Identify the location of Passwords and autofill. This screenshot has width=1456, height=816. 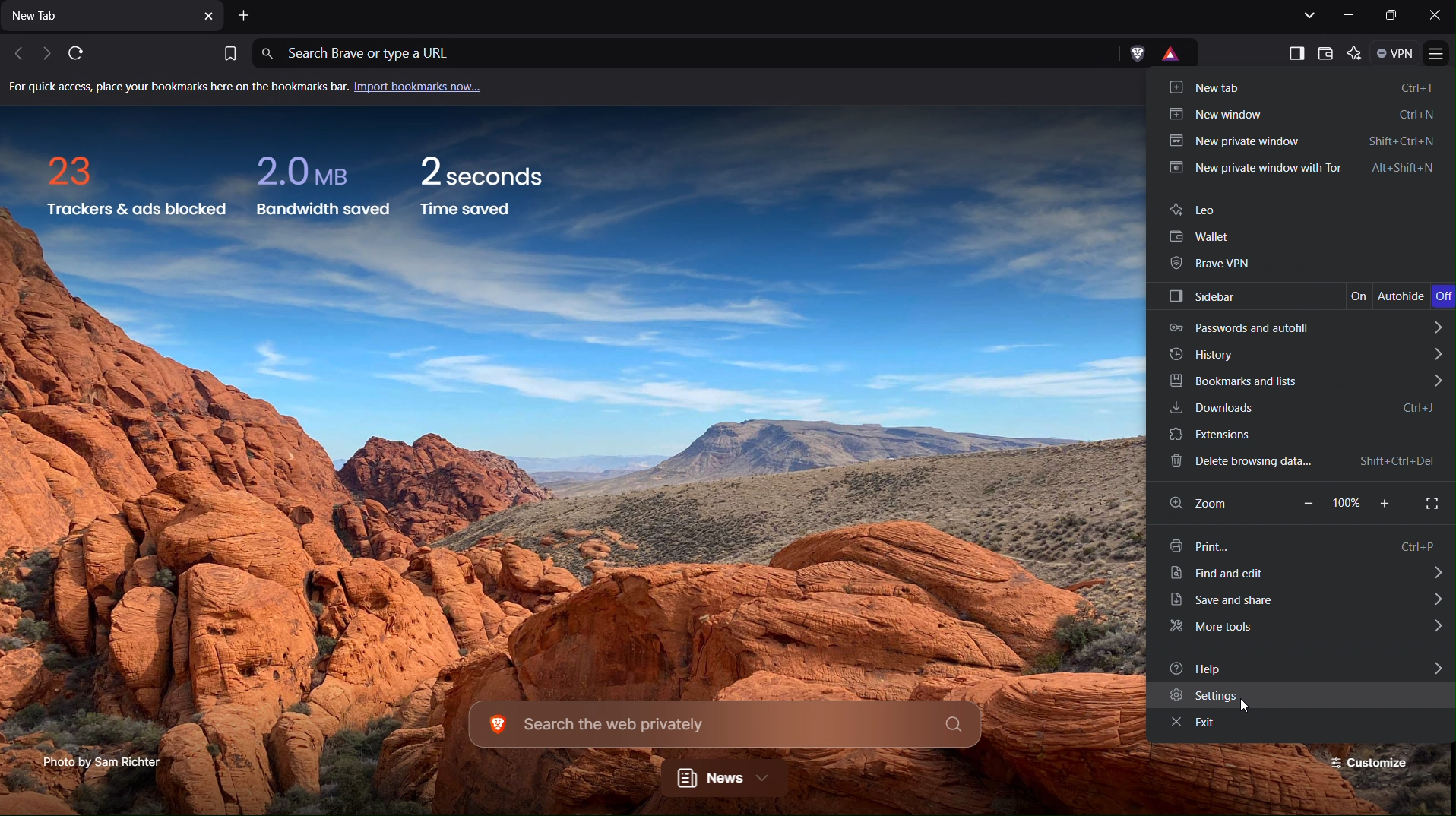
(1299, 327).